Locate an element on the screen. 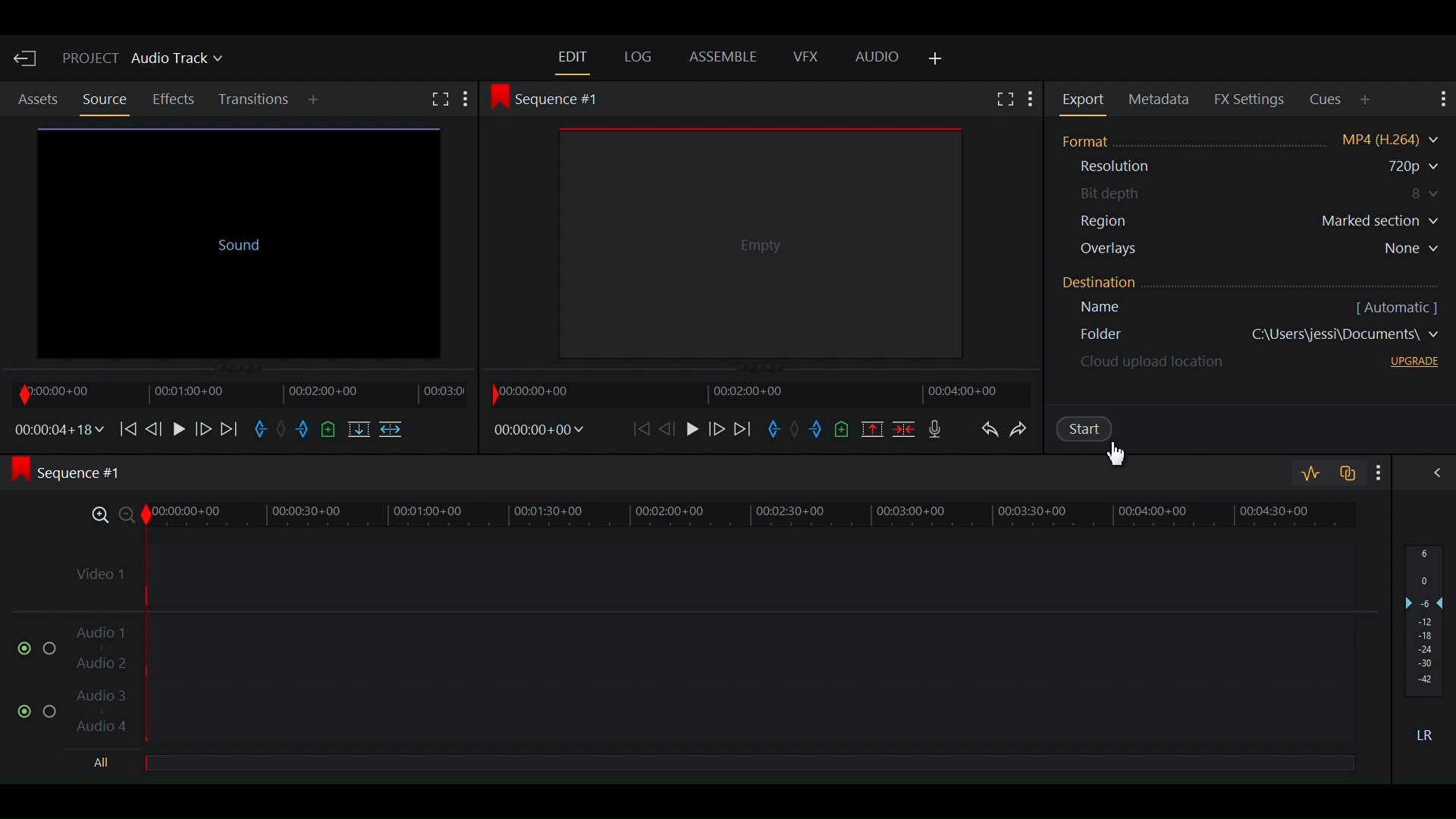  Mark in is located at coordinates (262, 431).